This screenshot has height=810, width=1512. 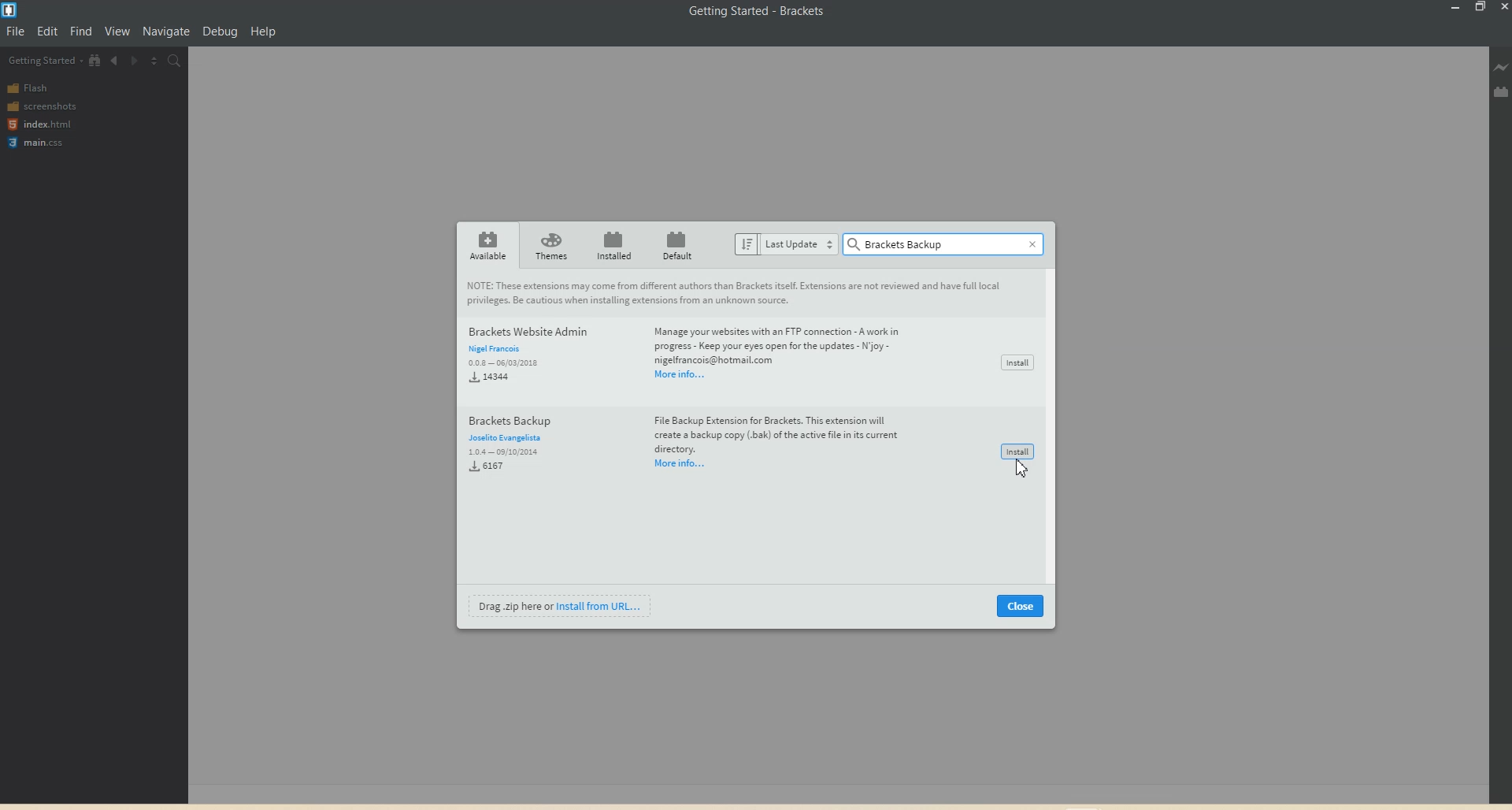 I want to click on Live Preview, so click(x=1502, y=68).